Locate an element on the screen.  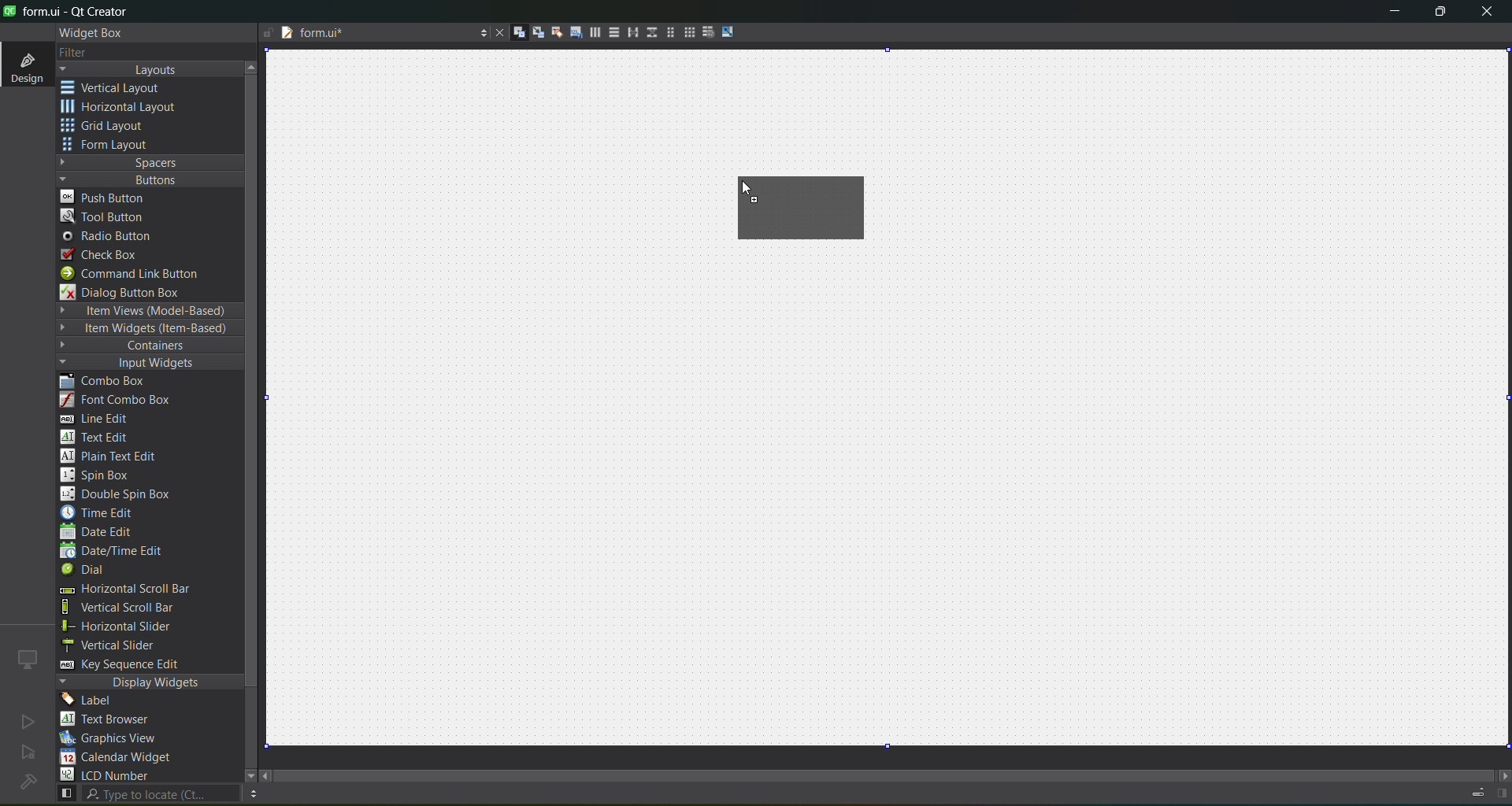
item views is located at coordinates (148, 312).